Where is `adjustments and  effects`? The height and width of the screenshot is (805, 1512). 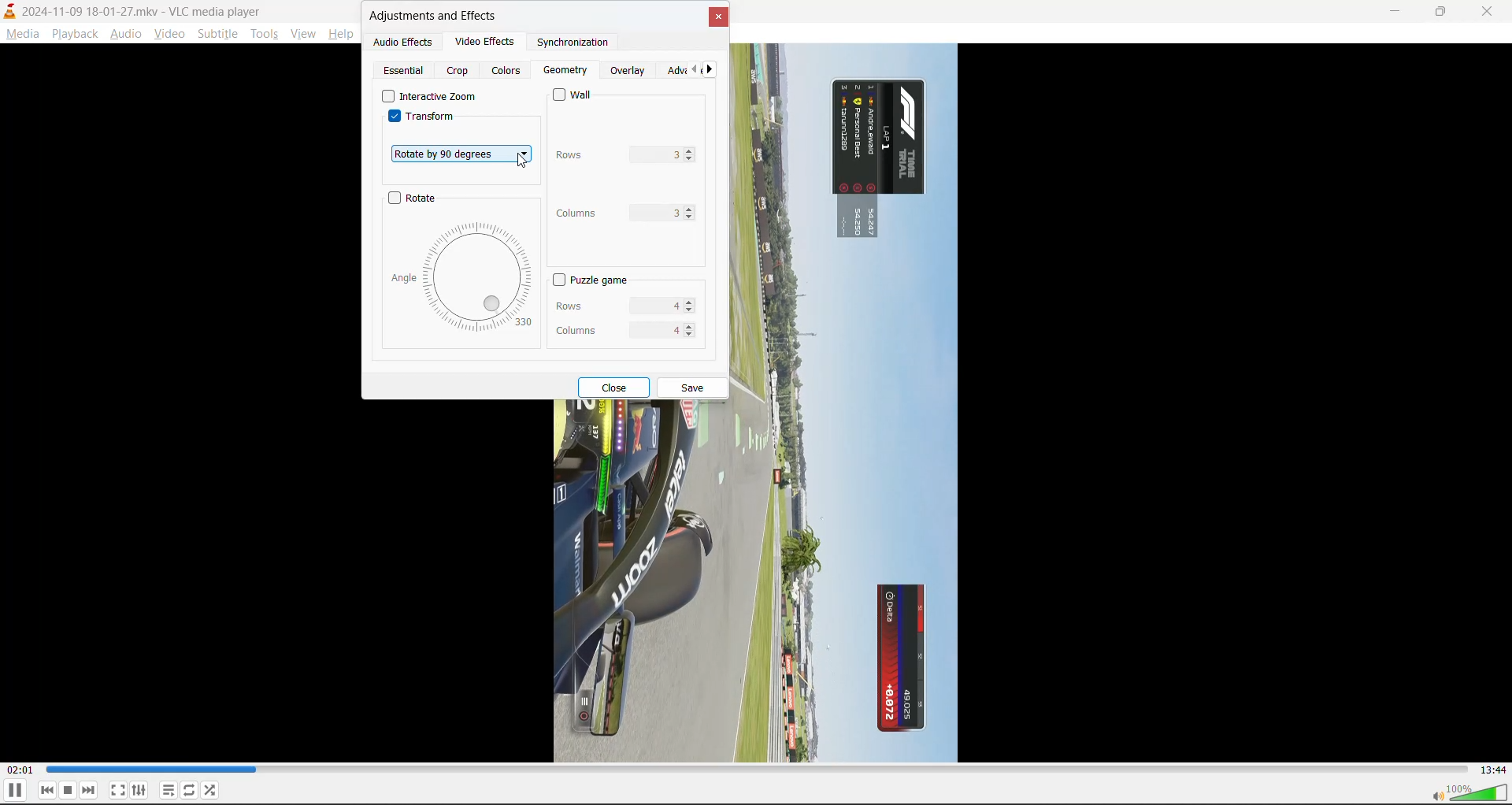 adjustments and  effects is located at coordinates (435, 17).